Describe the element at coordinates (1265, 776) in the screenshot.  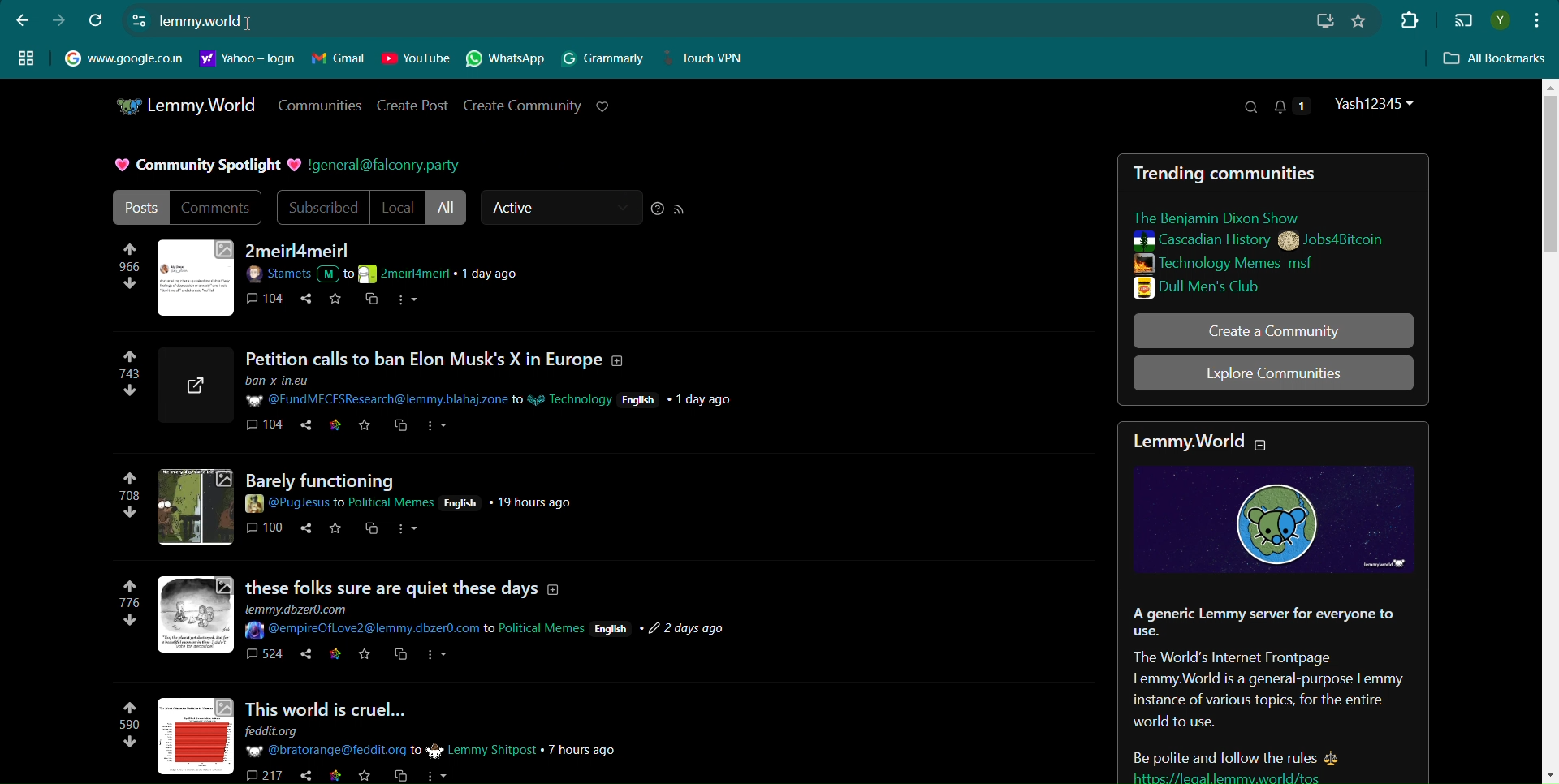
I see `Link` at that location.